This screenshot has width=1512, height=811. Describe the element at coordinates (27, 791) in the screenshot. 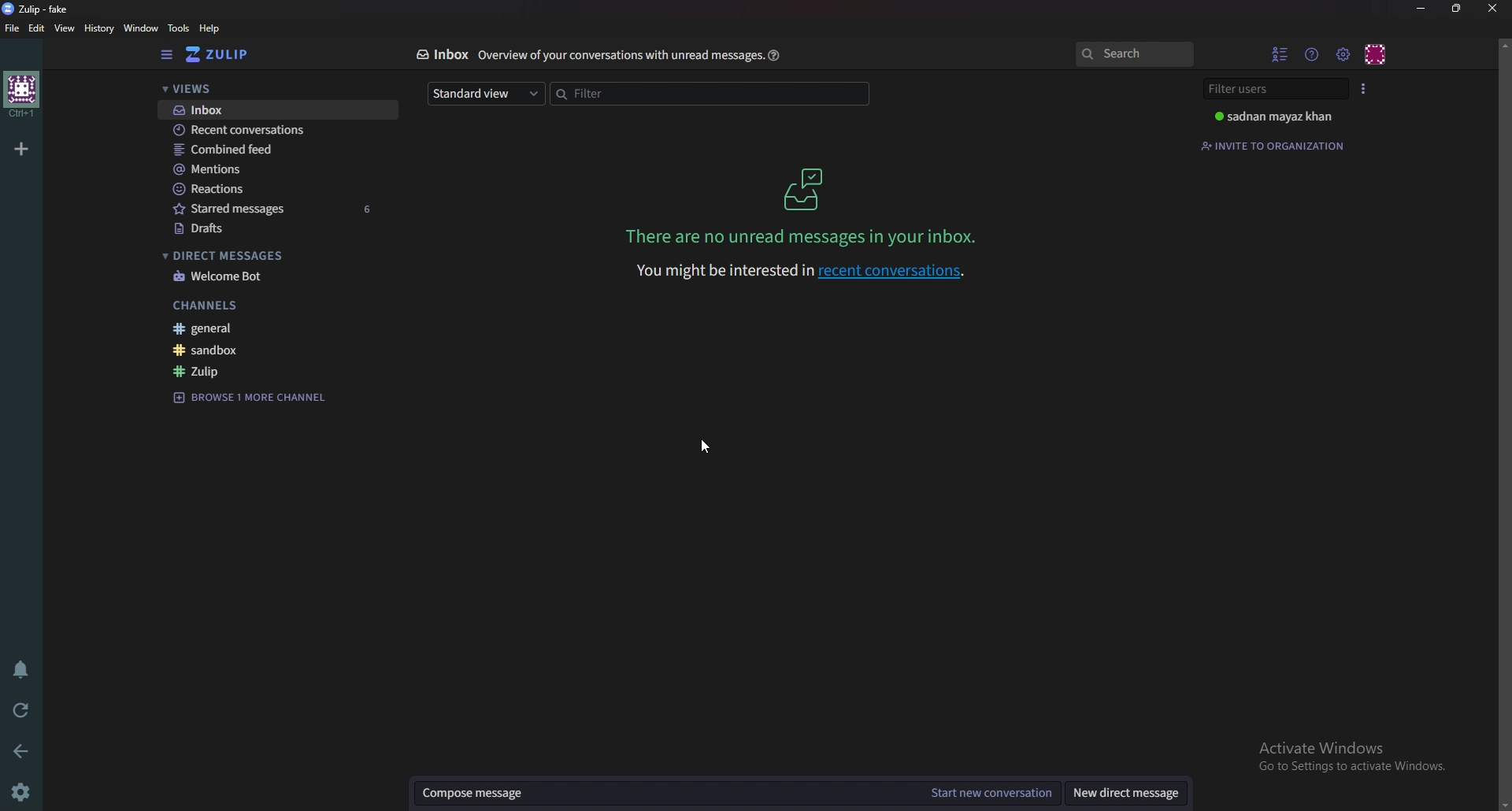

I see `settings` at that location.